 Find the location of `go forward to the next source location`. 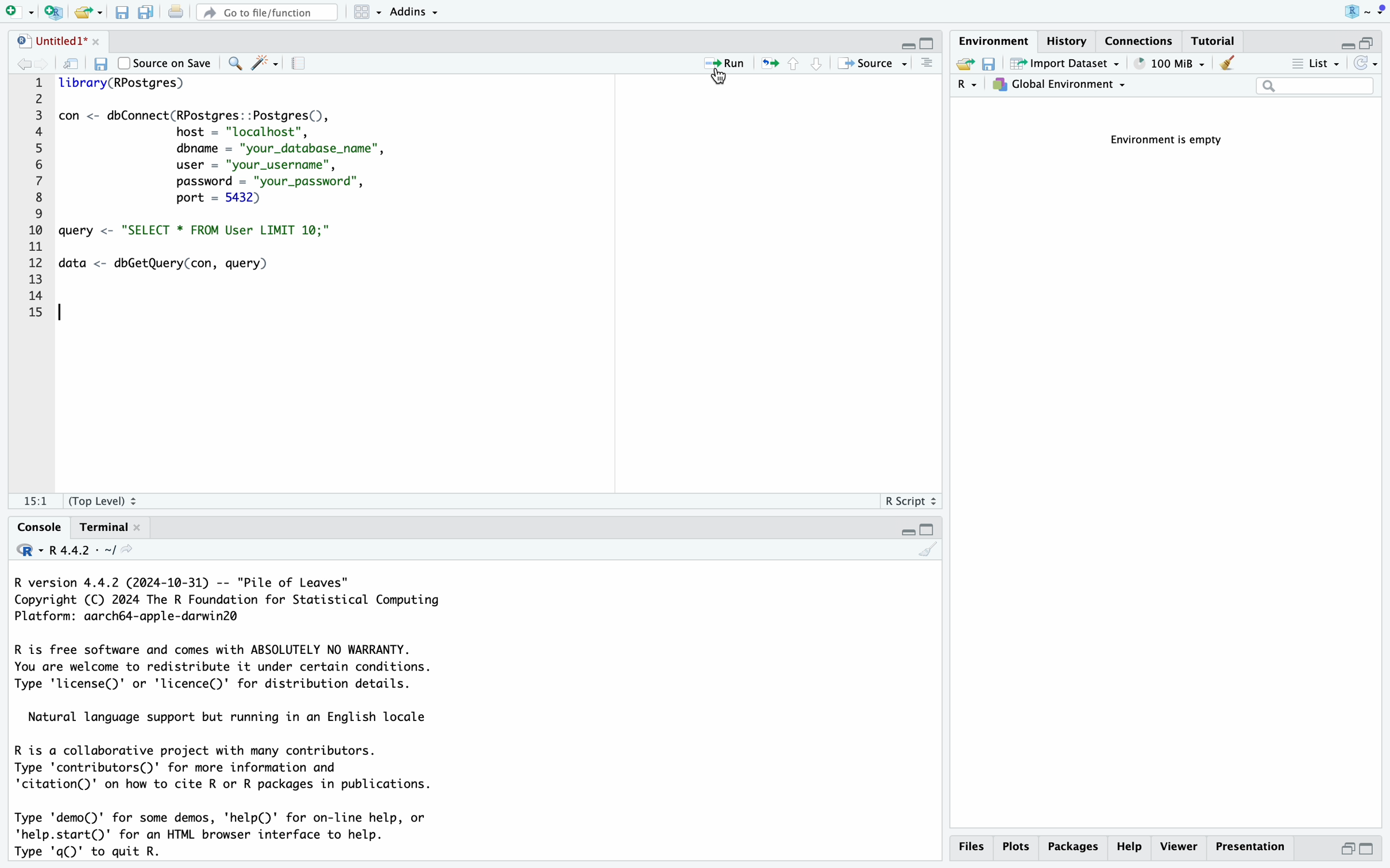

go forward to the next source location is located at coordinates (49, 63).